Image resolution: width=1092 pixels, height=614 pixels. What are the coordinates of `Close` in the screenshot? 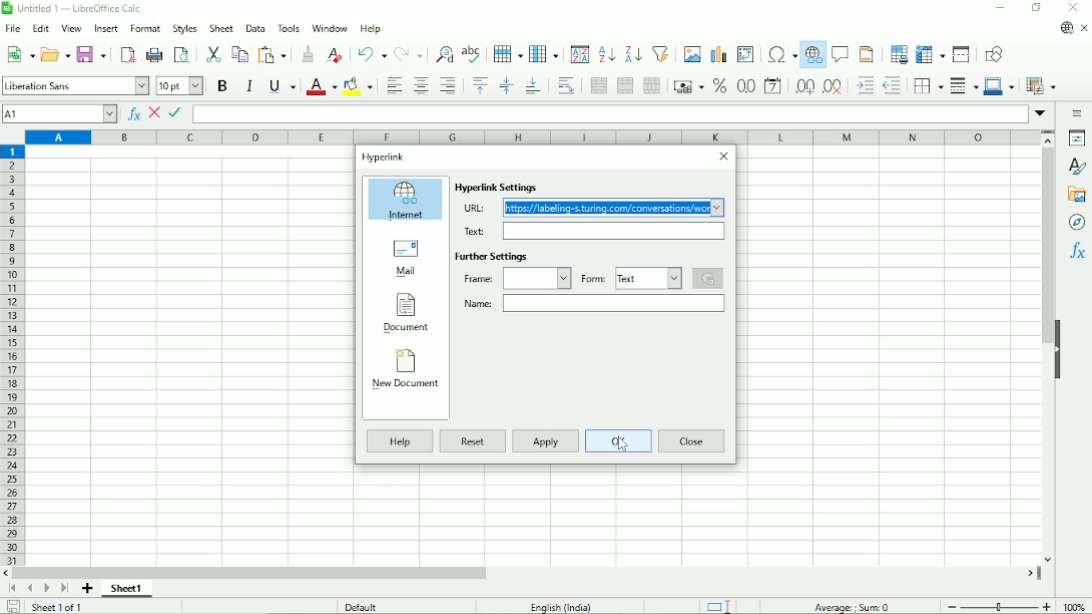 It's located at (723, 157).